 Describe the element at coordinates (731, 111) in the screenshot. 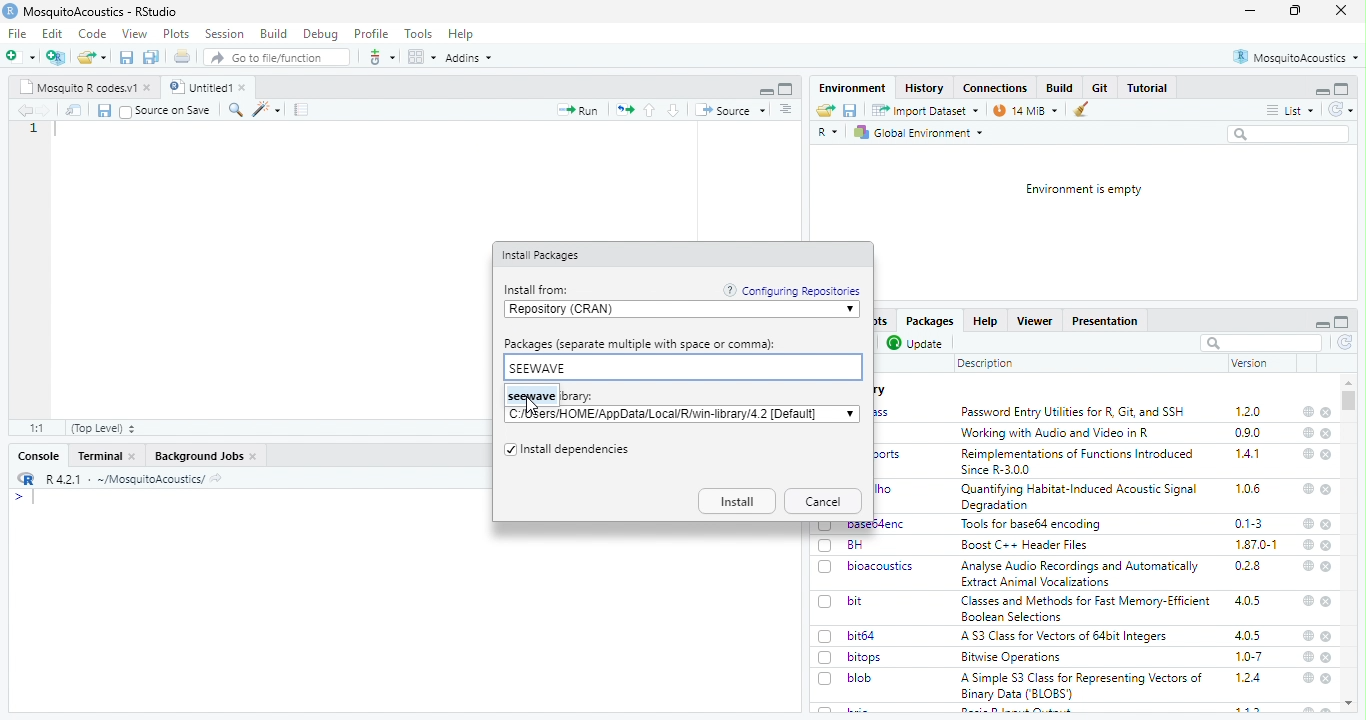

I see `Source` at that location.